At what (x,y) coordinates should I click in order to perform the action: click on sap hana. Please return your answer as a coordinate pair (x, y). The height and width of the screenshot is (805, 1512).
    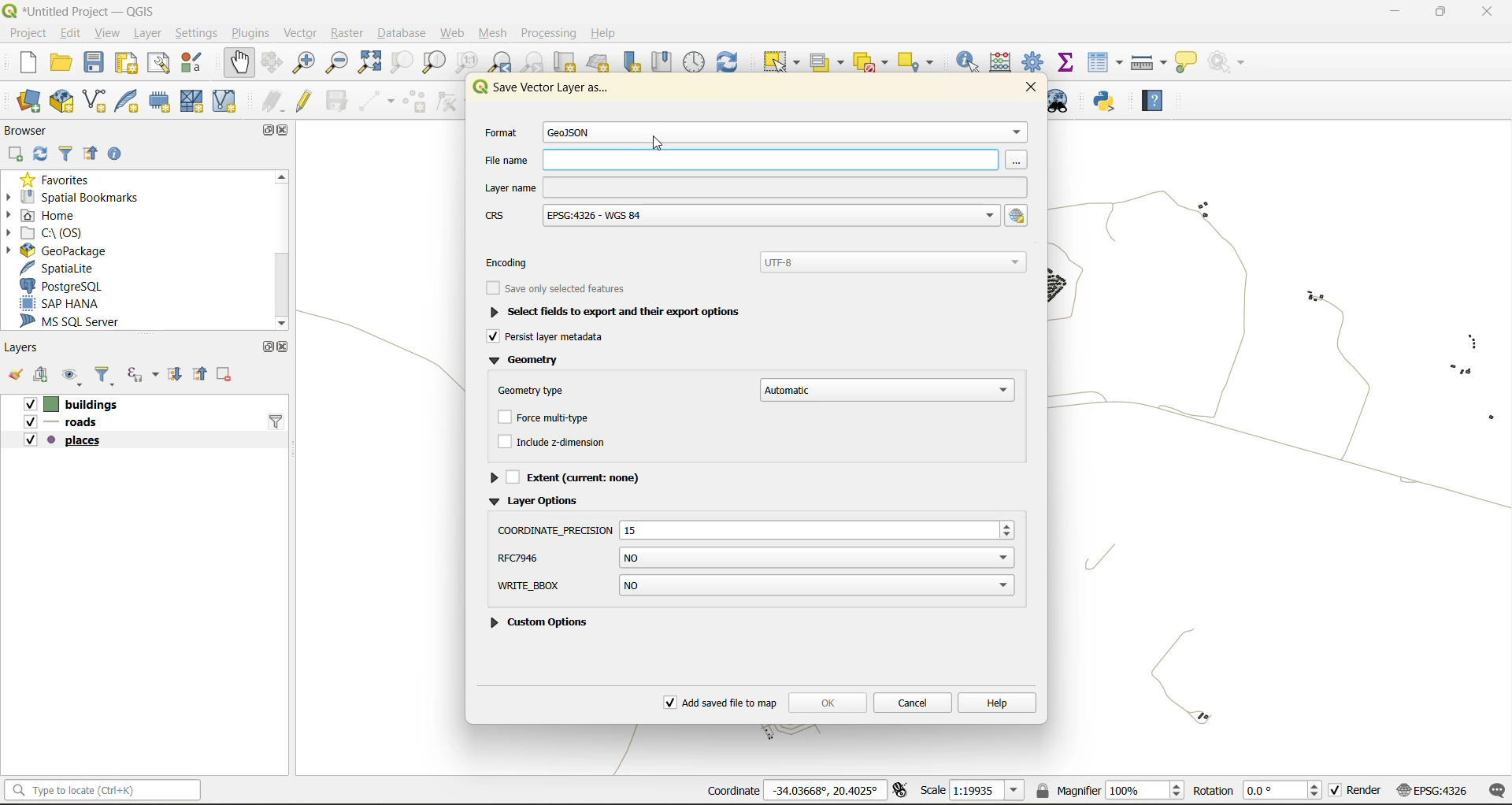
    Looking at the image, I should click on (65, 304).